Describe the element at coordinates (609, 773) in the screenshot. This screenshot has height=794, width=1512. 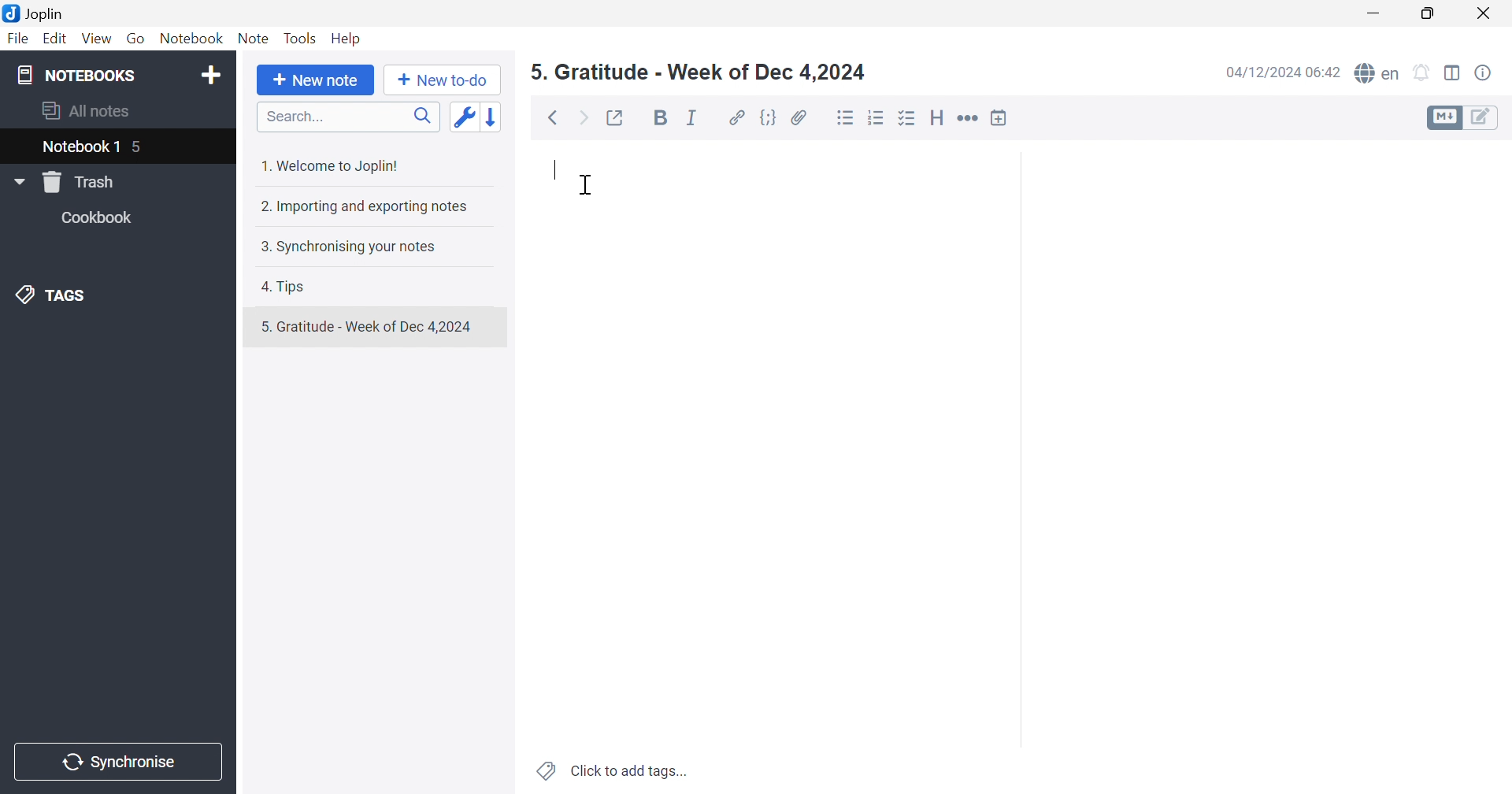
I see `Click to add tags` at that location.